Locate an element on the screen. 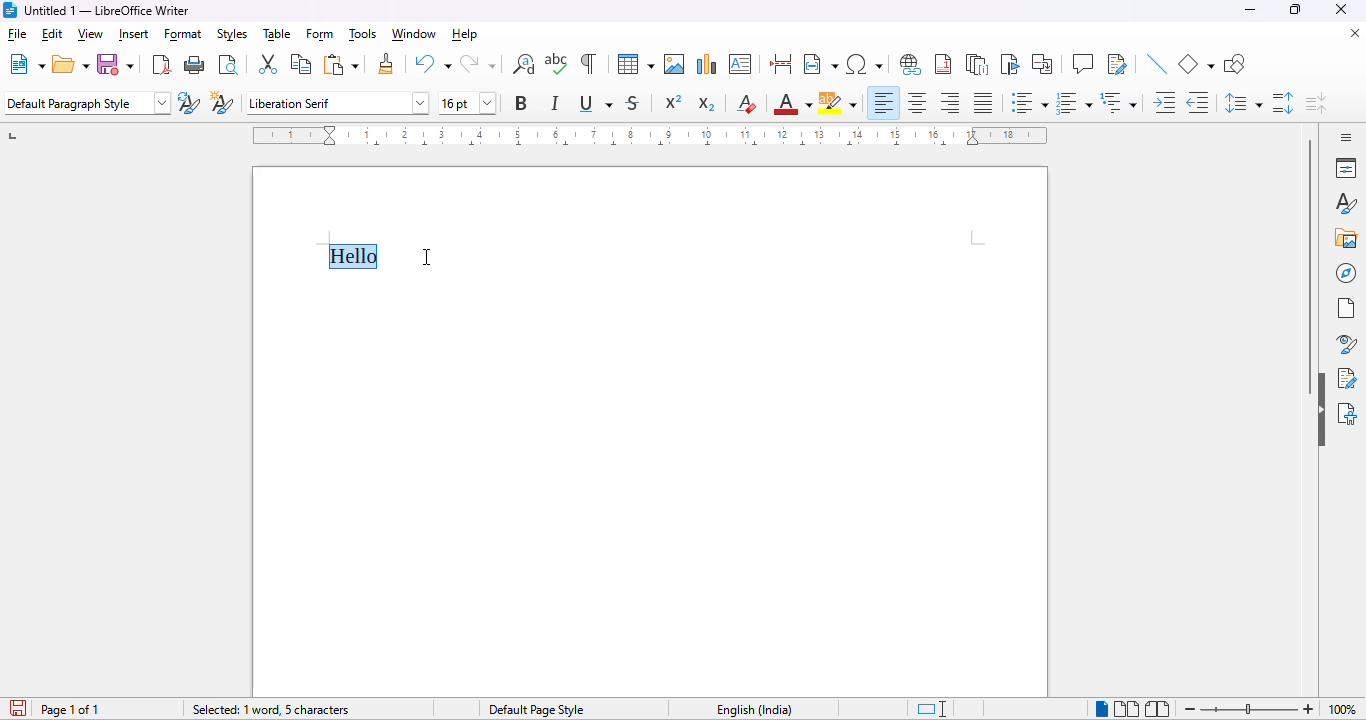 Image resolution: width=1366 pixels, height=720 pixels. close is located at coordinates (1341, 9).